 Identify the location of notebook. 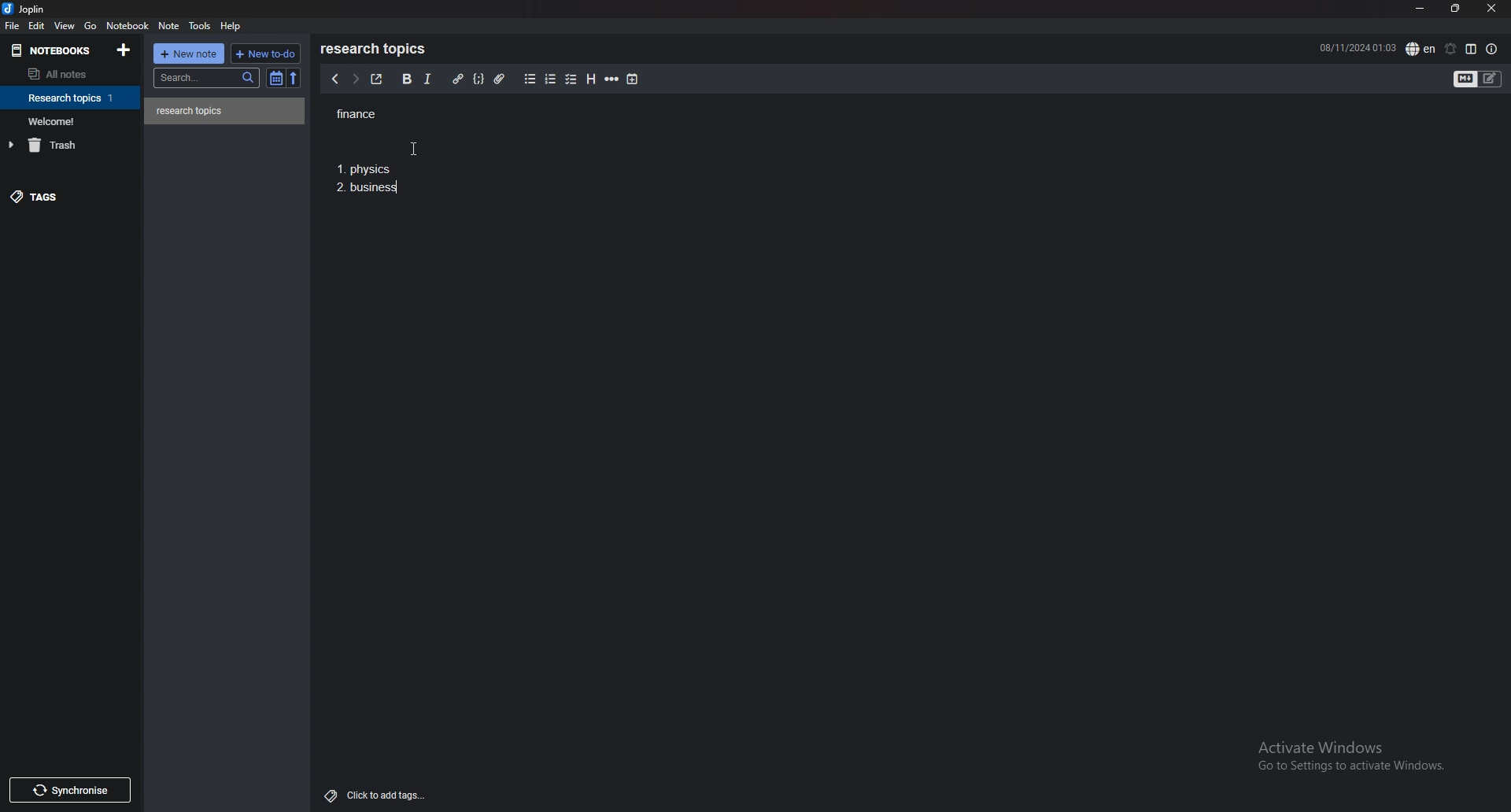
(72, 98).